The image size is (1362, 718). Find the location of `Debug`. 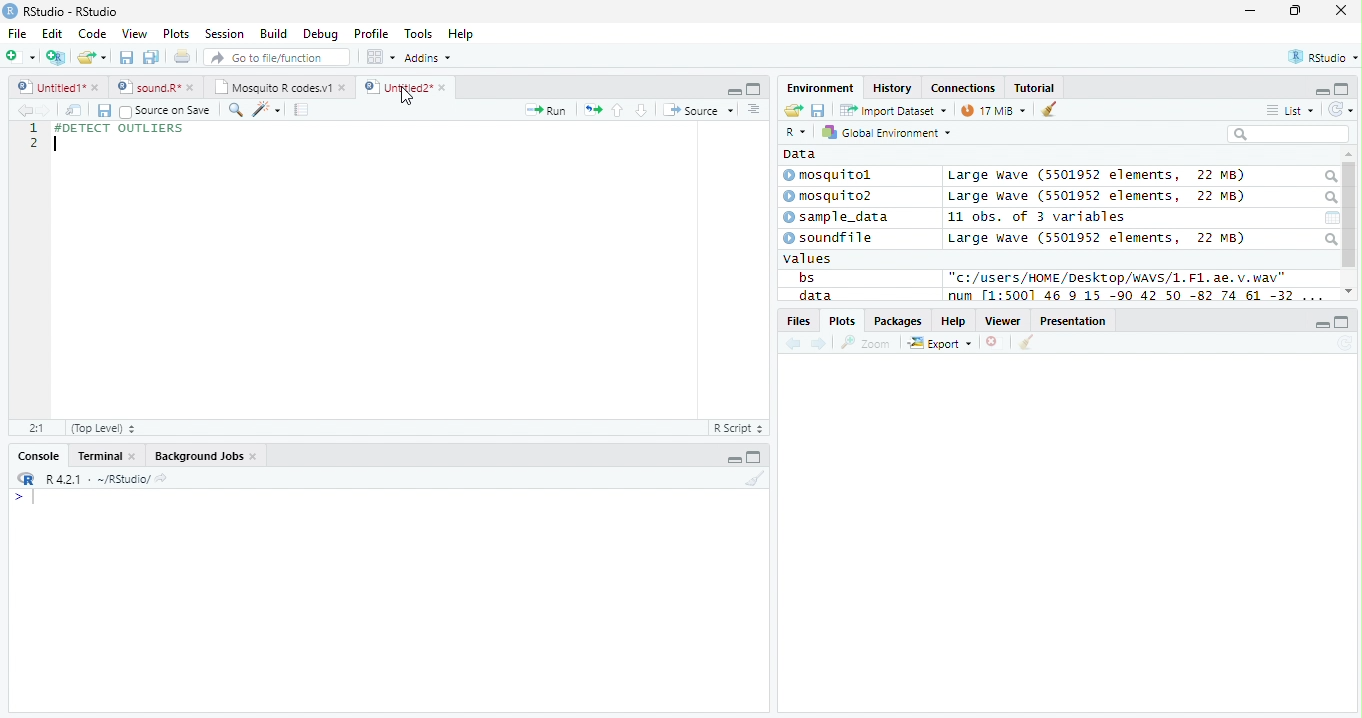

Debug is located at coordinates (319, 34).